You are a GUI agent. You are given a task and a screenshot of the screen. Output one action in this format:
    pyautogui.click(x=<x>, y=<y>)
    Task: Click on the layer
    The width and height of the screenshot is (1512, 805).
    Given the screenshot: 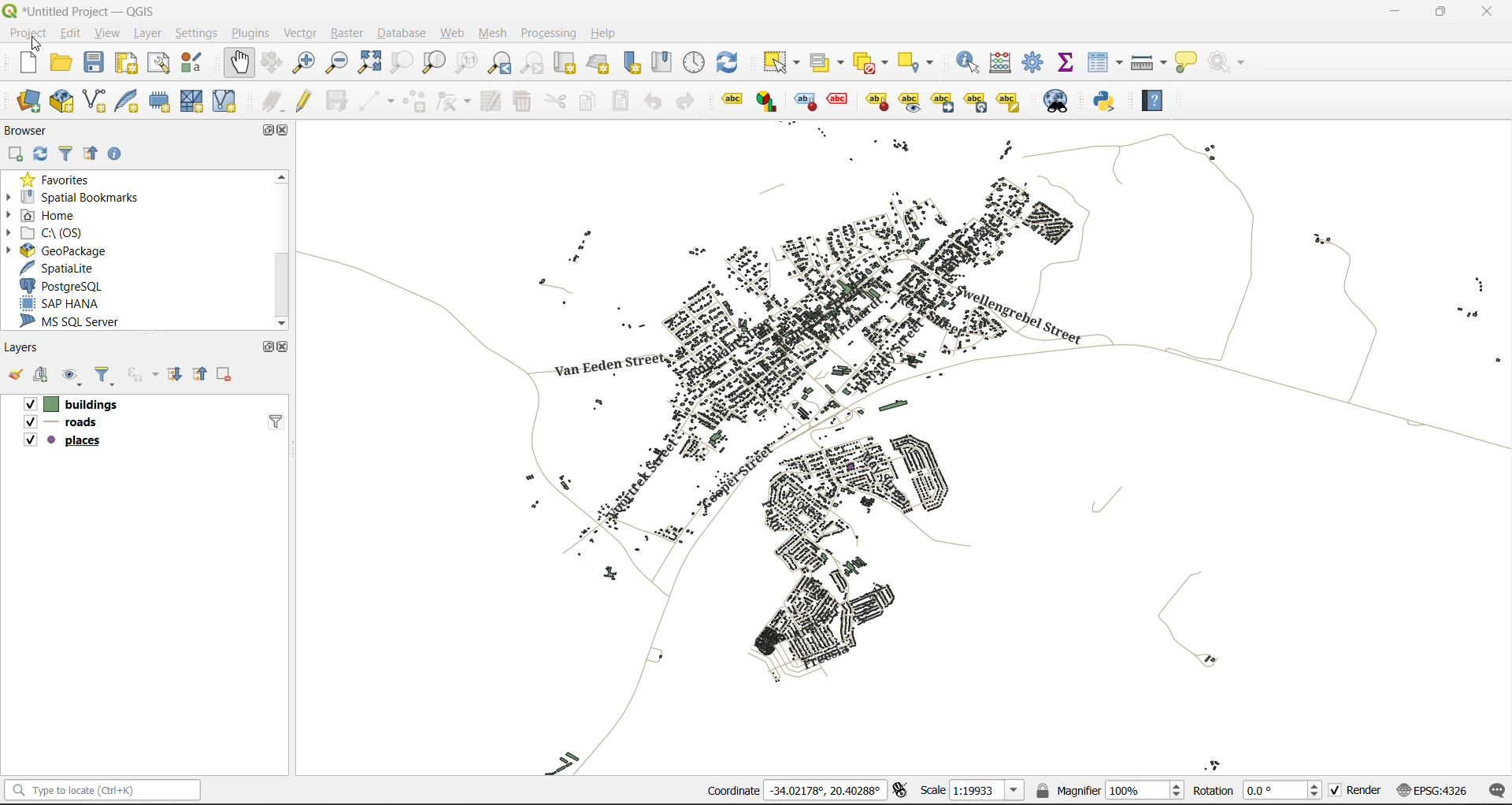 What is the action you would take?
    pyautogui.click(x=148, y=32)
    